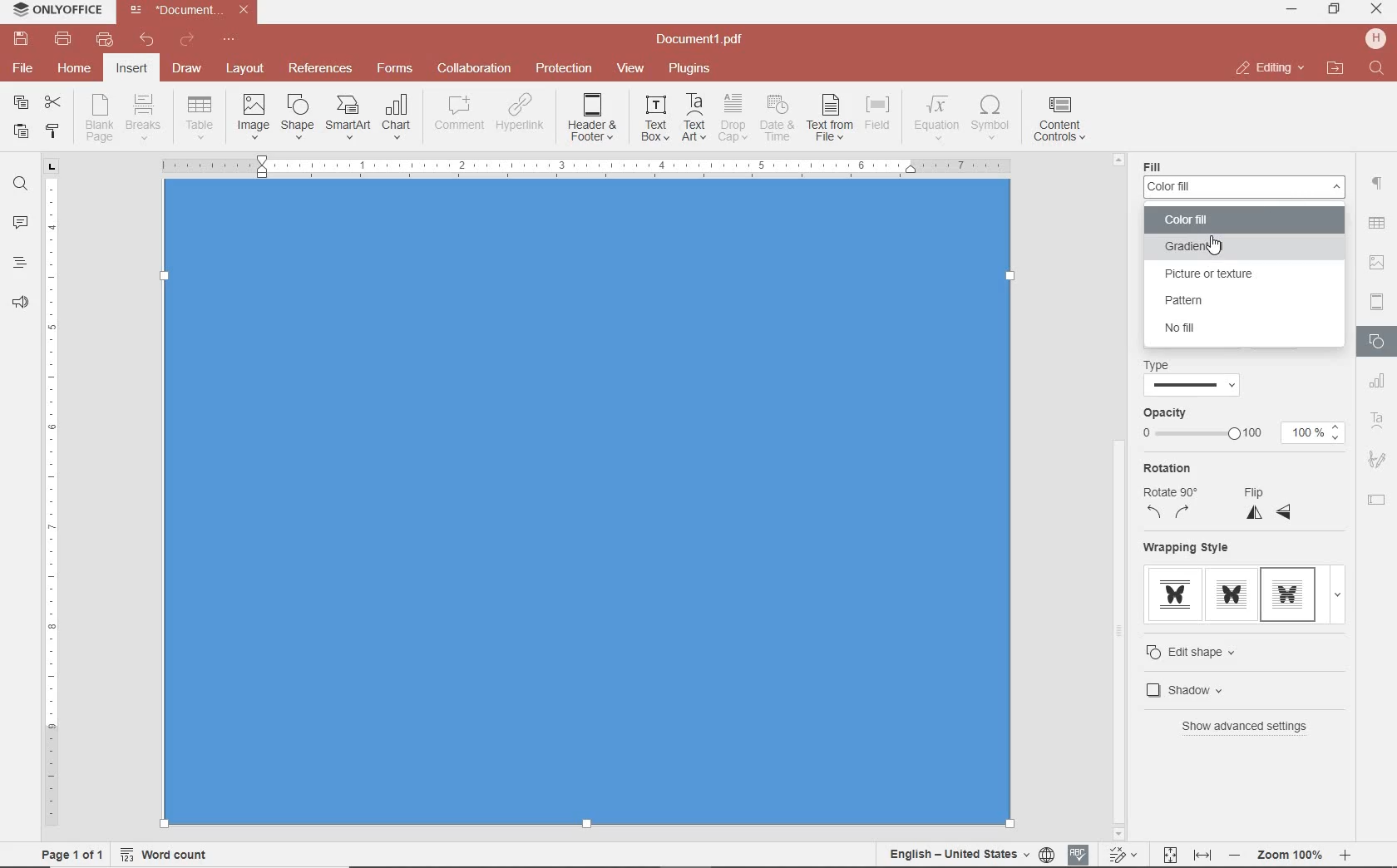 This screenshot has height=868, width=1397. Describe the element at coordinates (1335, 69) in the screenshot. I see `open file location` at that location.